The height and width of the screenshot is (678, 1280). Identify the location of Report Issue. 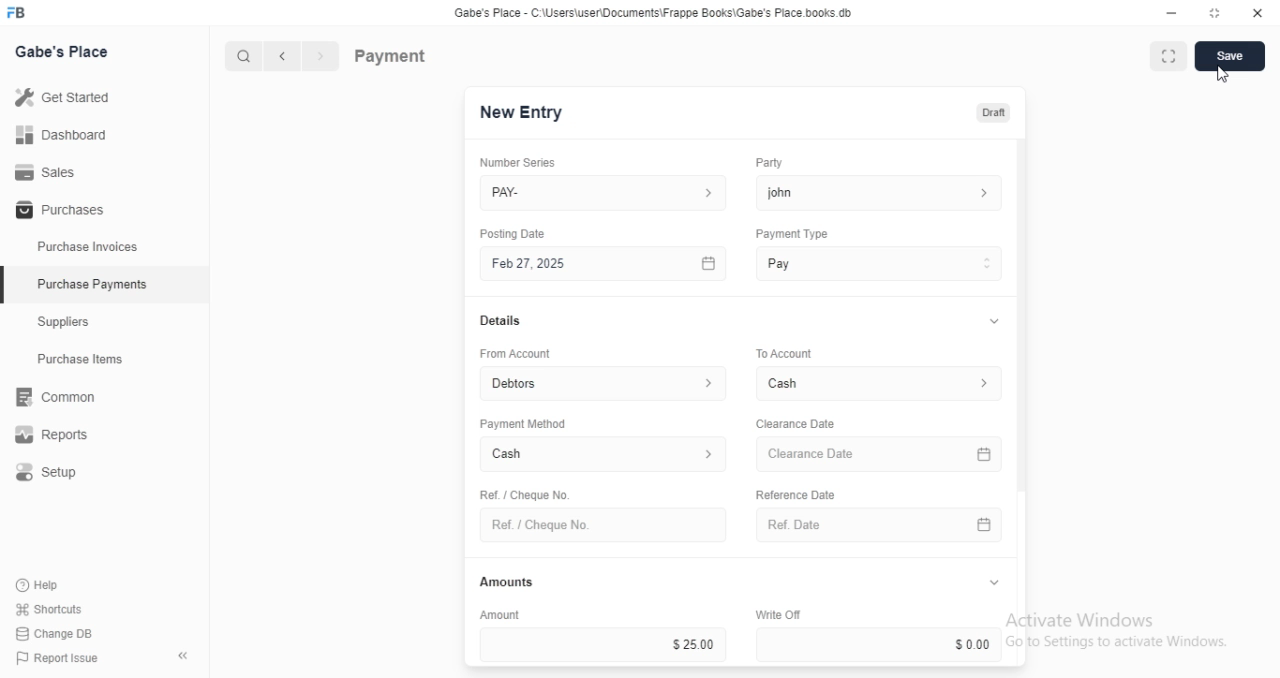
(52, 658).